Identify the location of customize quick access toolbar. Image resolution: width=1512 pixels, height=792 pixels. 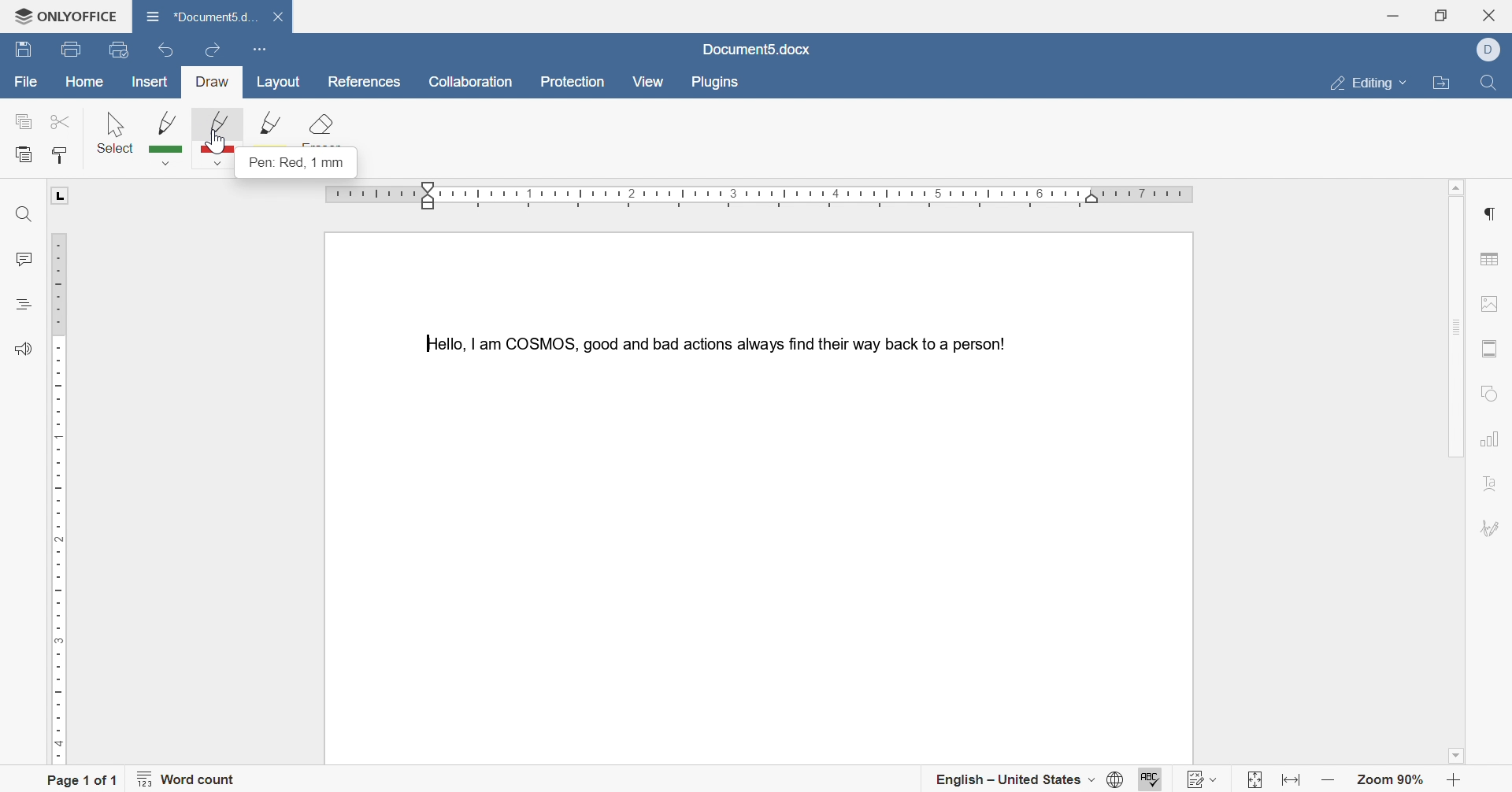
(258, 47).